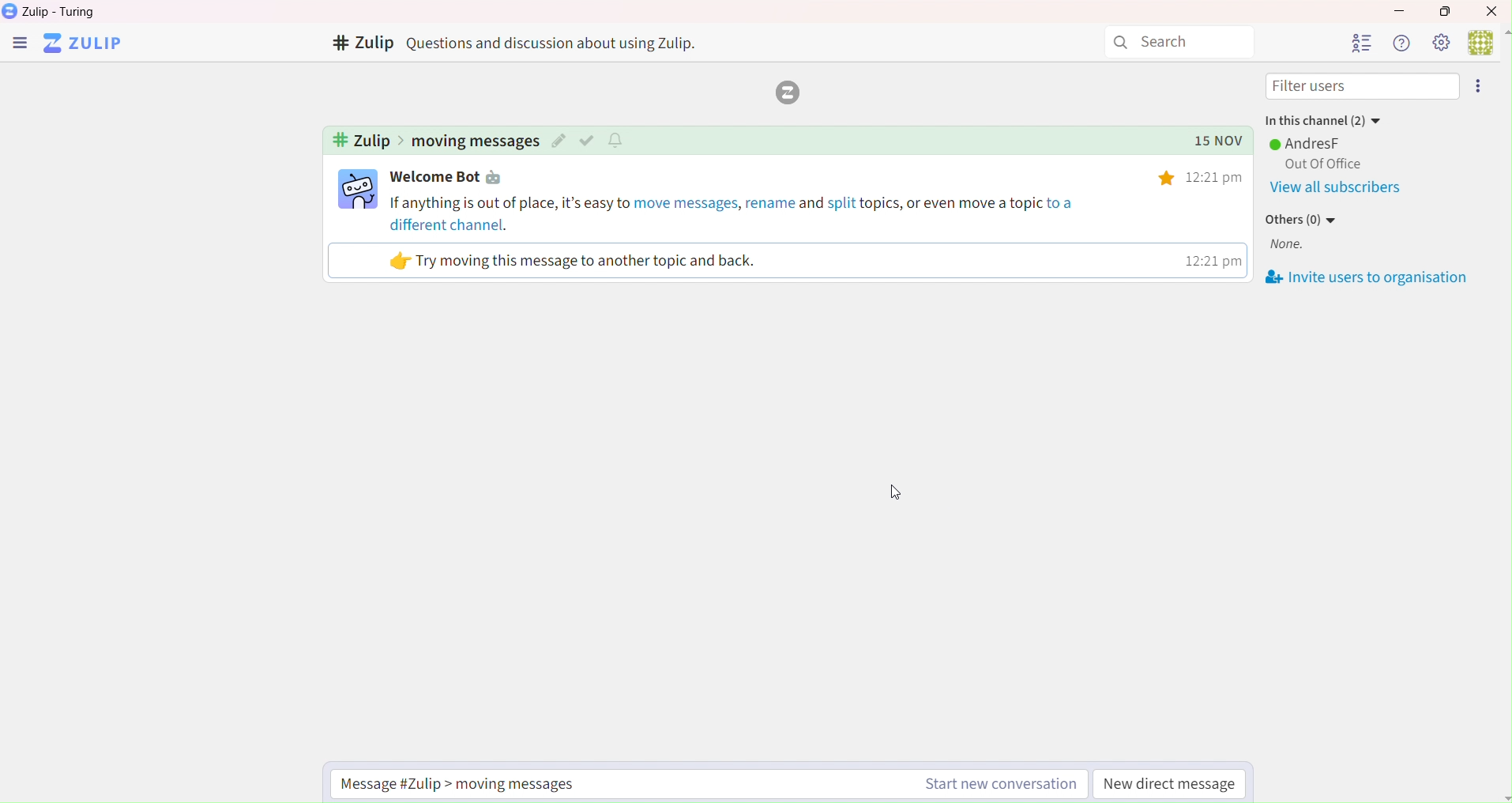 Image resolution: width=1512 pixels, height=803 pixels. What do you see at coordinates (88, 44) in the screenshot?
I see `ZuLip` at bounding box center [88, 44].